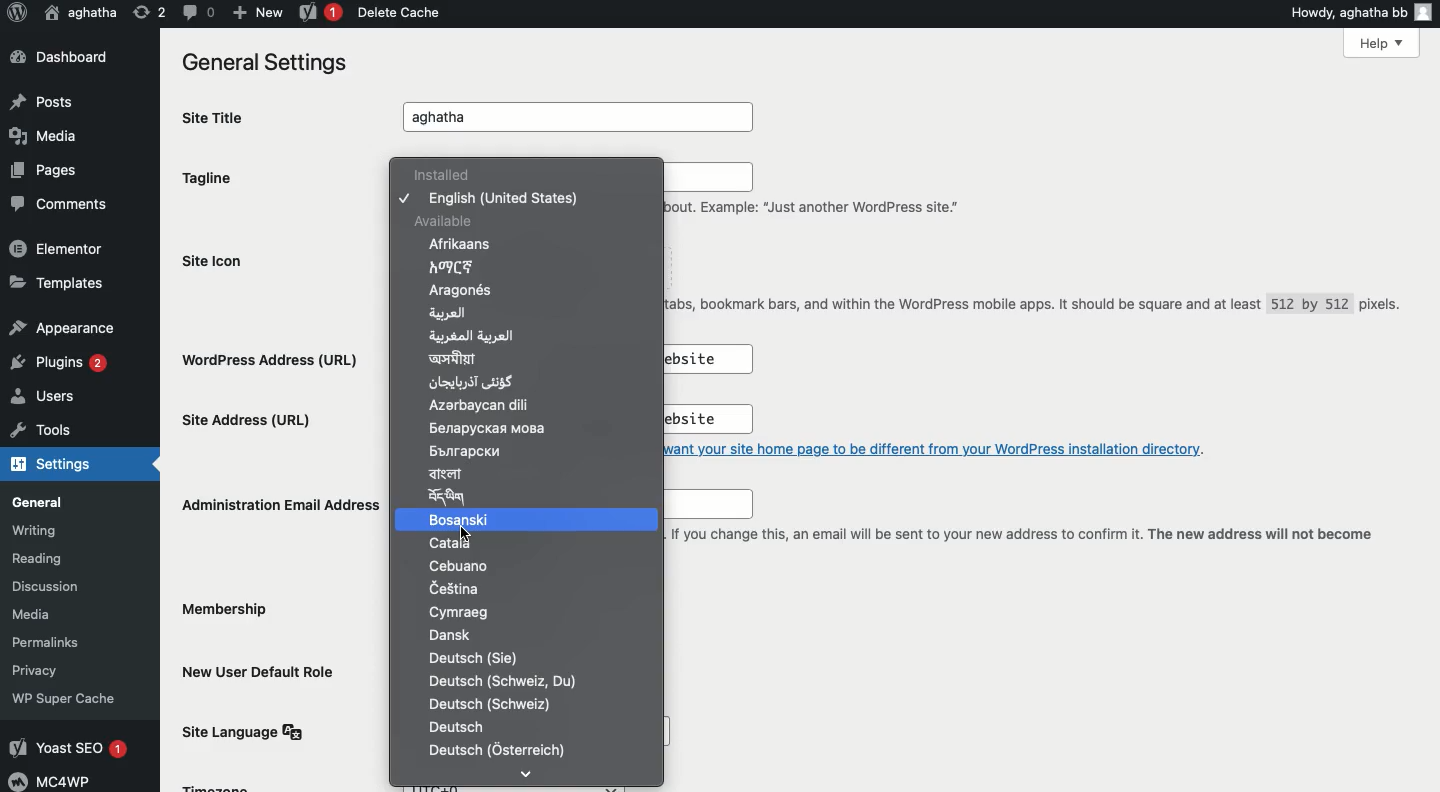 The image size is (1440, 792). Describe the element at coordinates (195, 12) in the screenshot. I see `Comment` at that location.